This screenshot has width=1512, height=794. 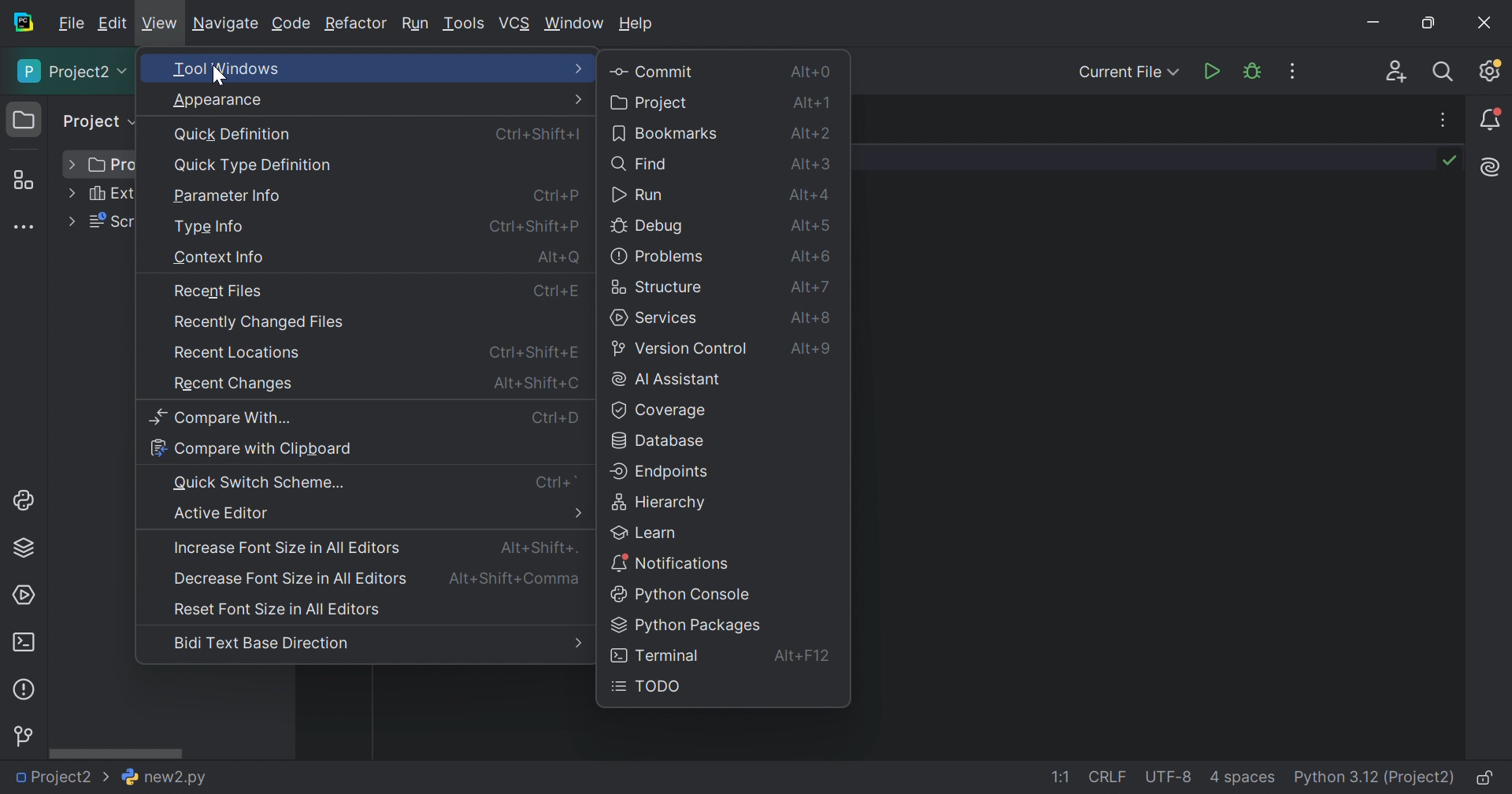 I want to click on Python console, so click(x=685, y=595).